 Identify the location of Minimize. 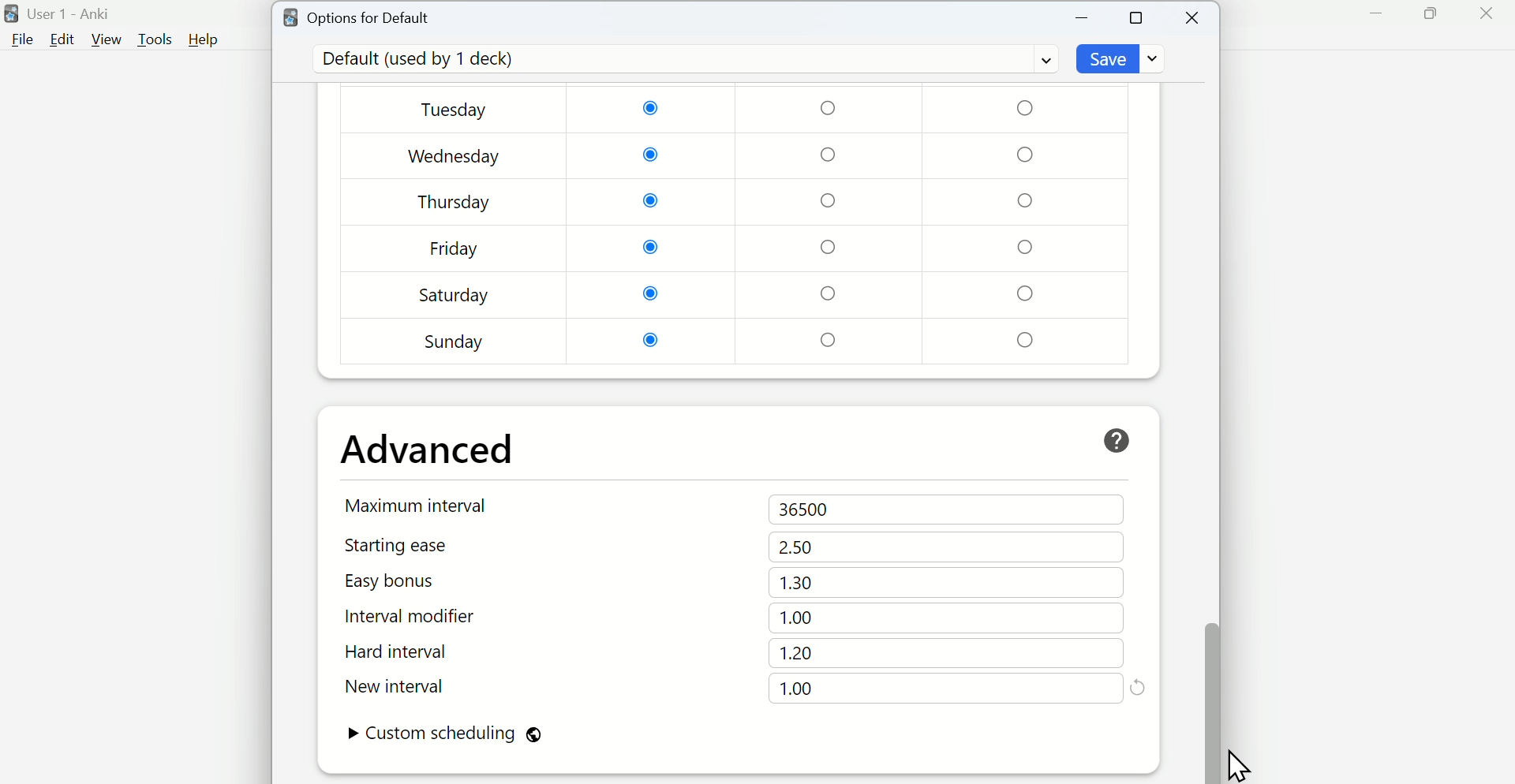
(1083, 18).